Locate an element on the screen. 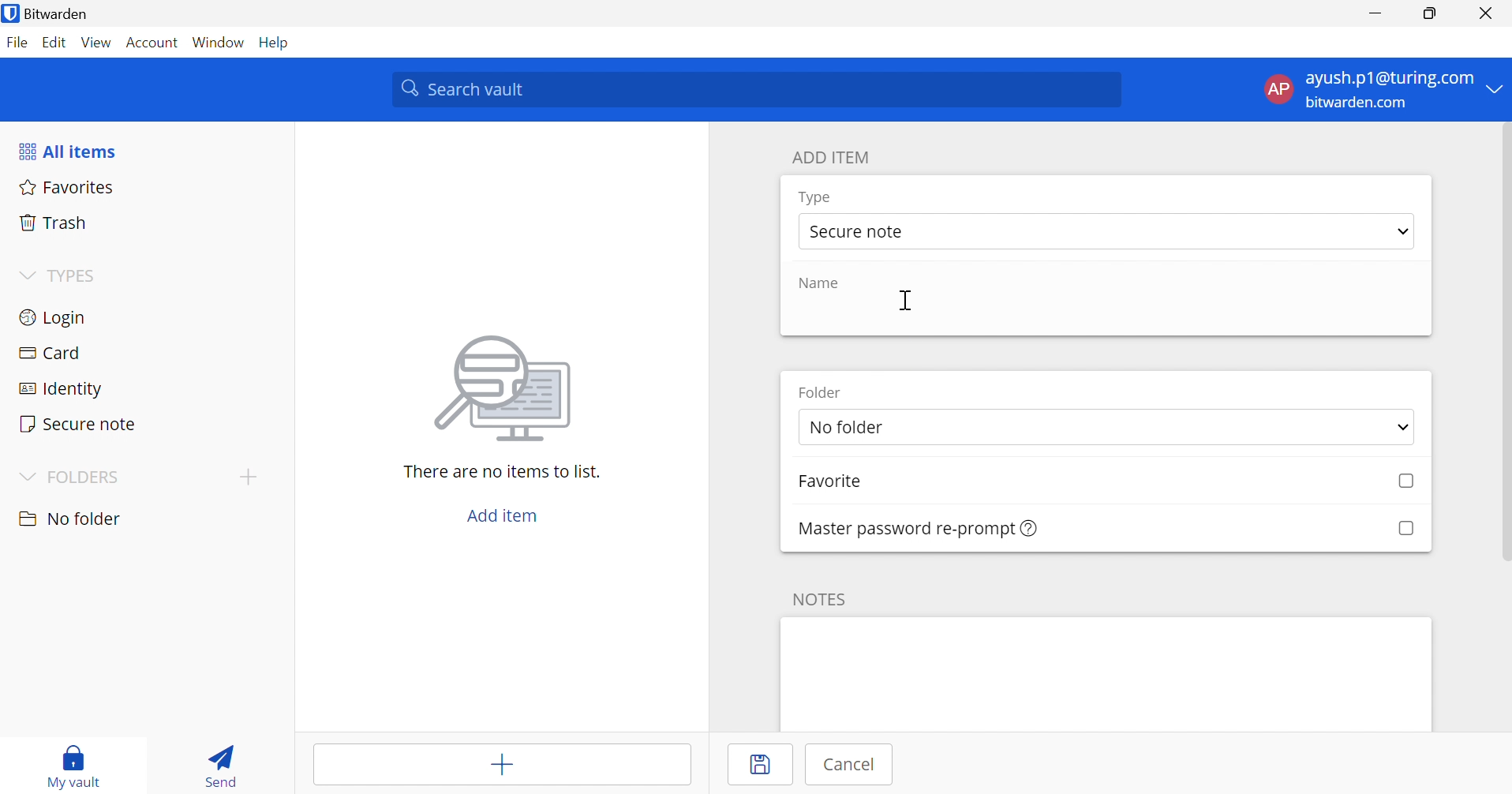  Dropdown is located at coordinates (22, 275).